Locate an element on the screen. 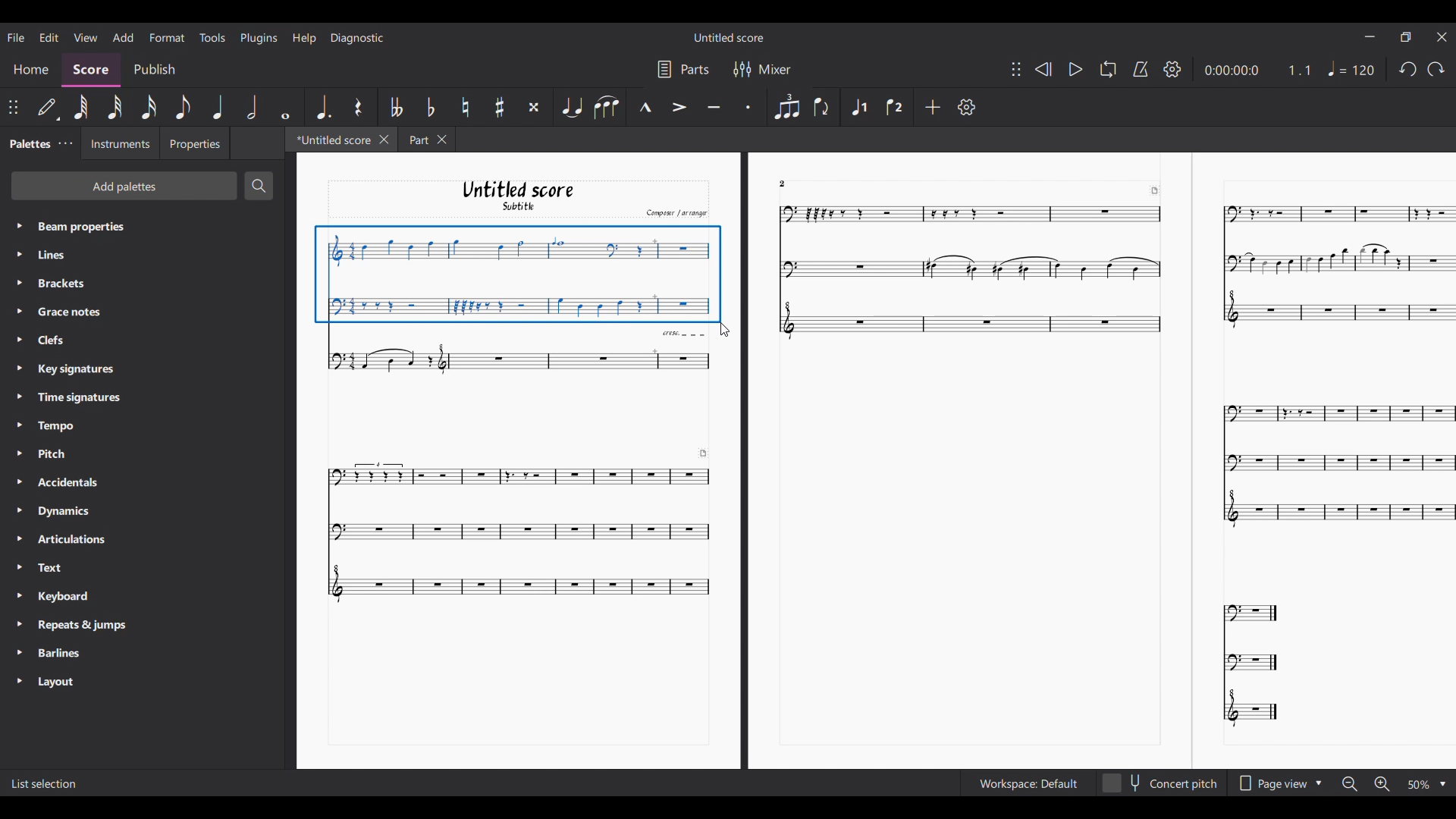   is located at coordinates (973, 215).